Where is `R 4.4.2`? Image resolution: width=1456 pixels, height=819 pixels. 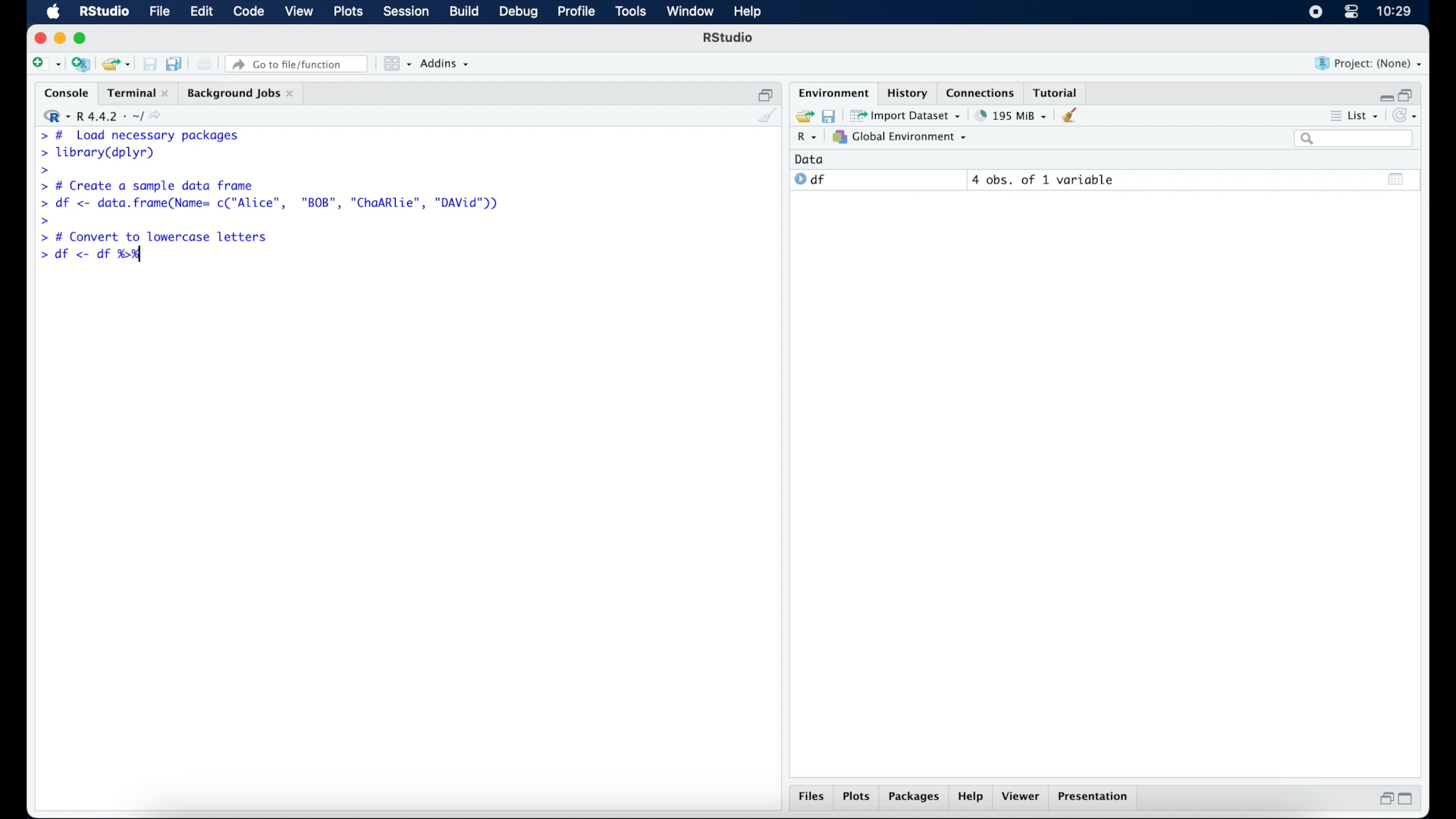
R 4.4.2 is located at coordinates (106, 117).